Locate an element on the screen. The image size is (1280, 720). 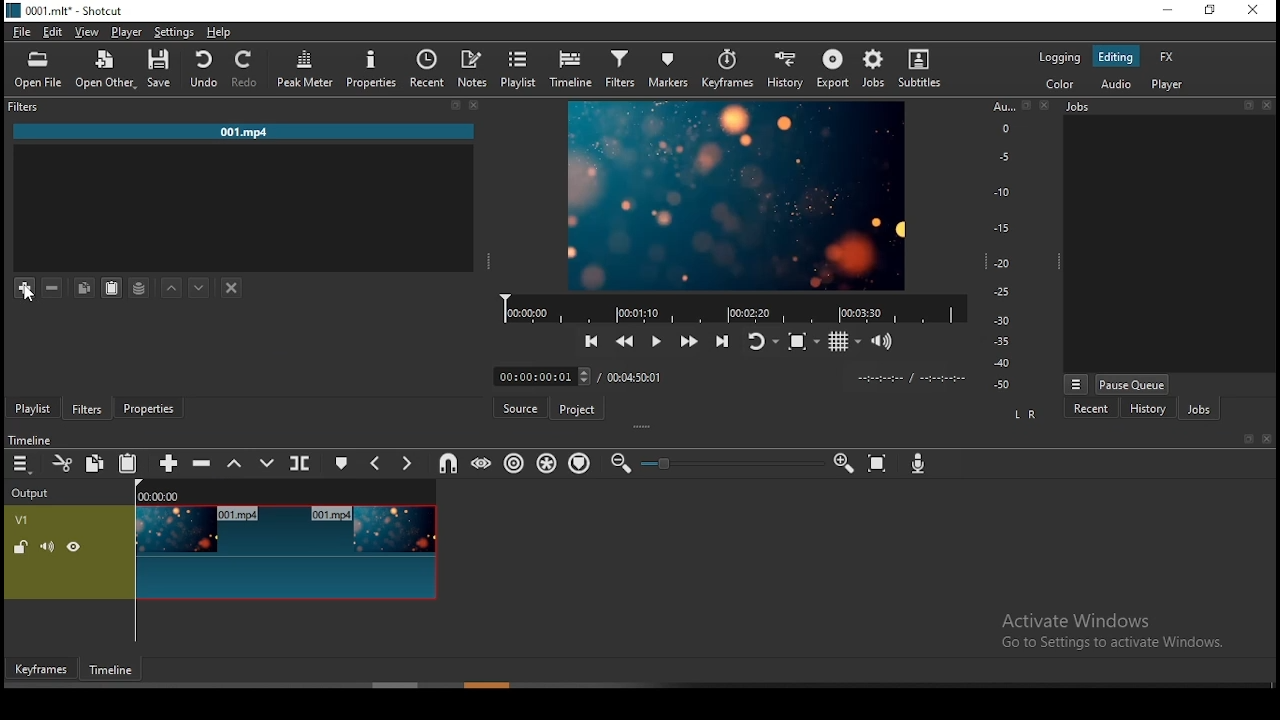
toggle zoom is located at coordinates (799, 342).